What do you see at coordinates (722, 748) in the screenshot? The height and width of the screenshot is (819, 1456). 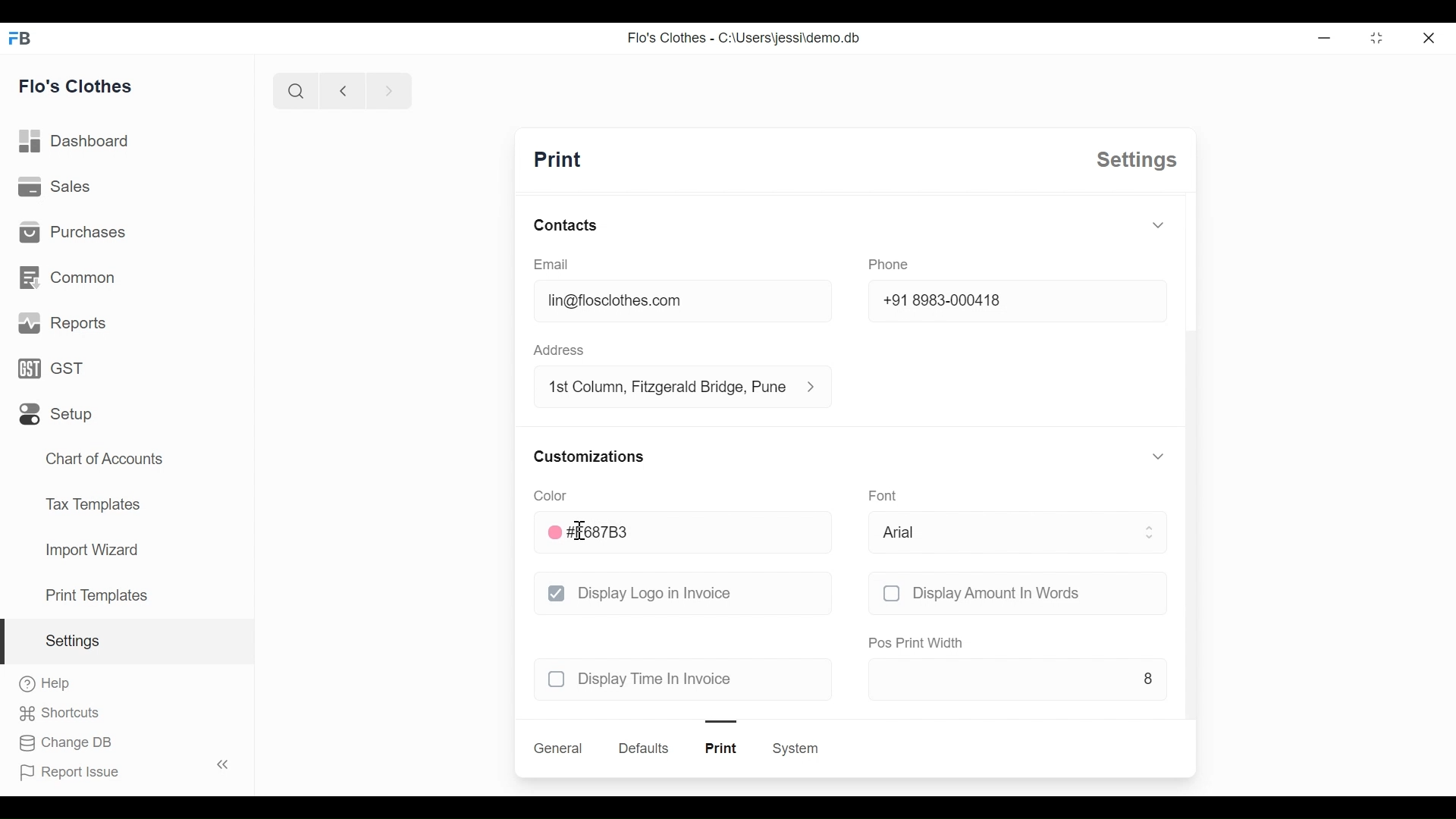 I see `print` at bounding box center [722, 748].